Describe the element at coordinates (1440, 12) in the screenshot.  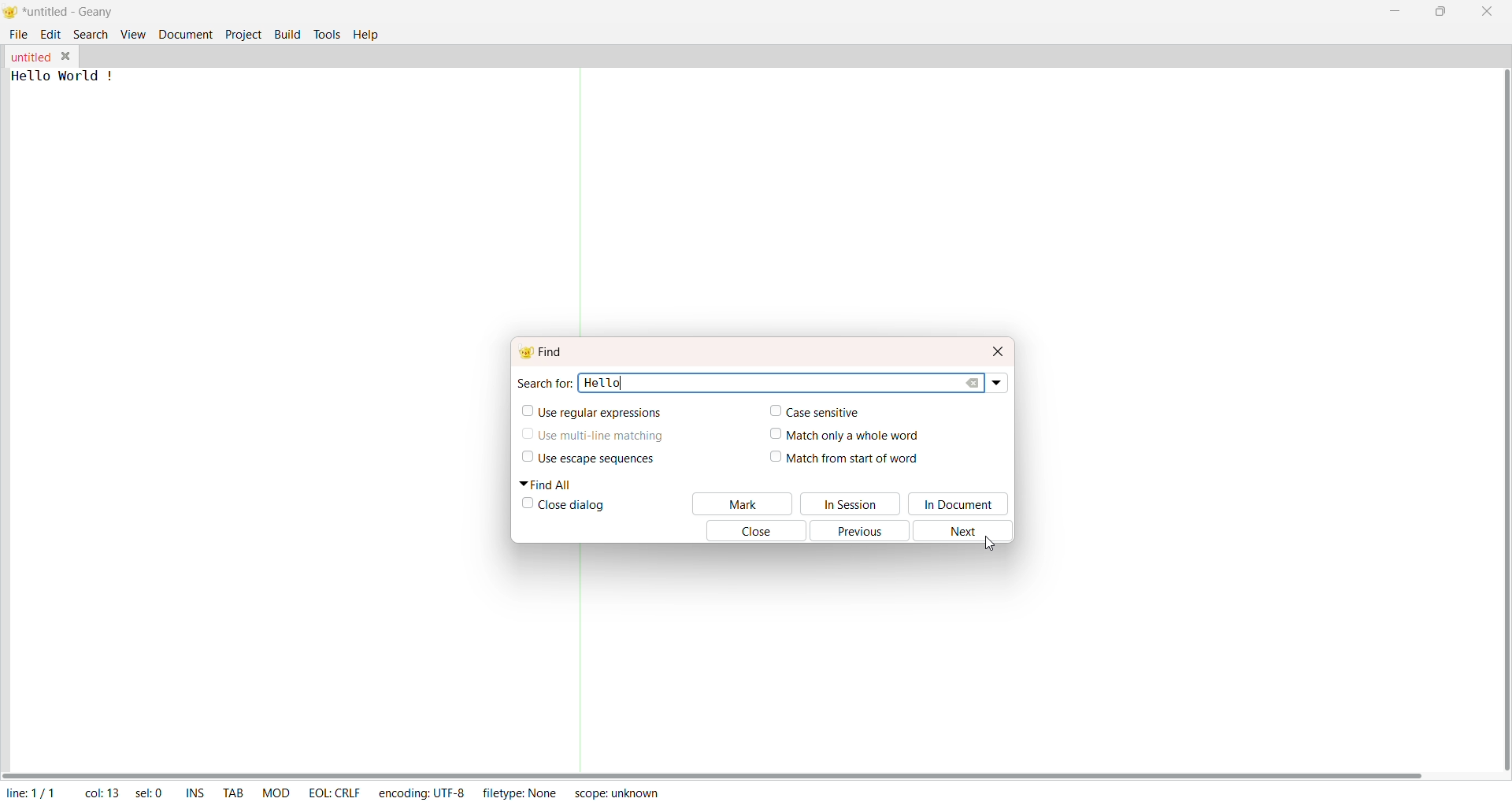
I see `Maximize` at that location.